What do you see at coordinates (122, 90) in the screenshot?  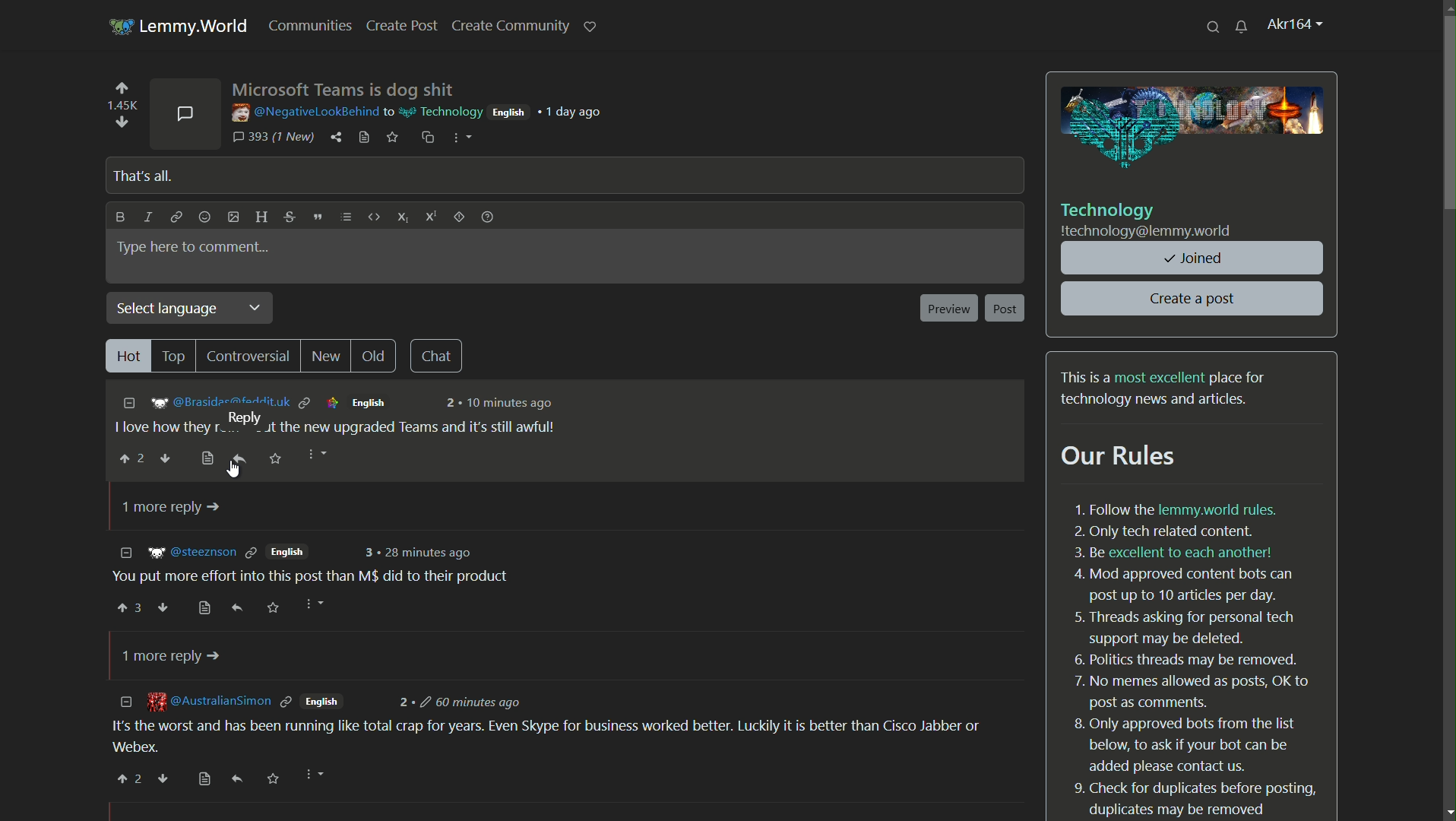 I see `upvote` at bounding box center [122, 90].